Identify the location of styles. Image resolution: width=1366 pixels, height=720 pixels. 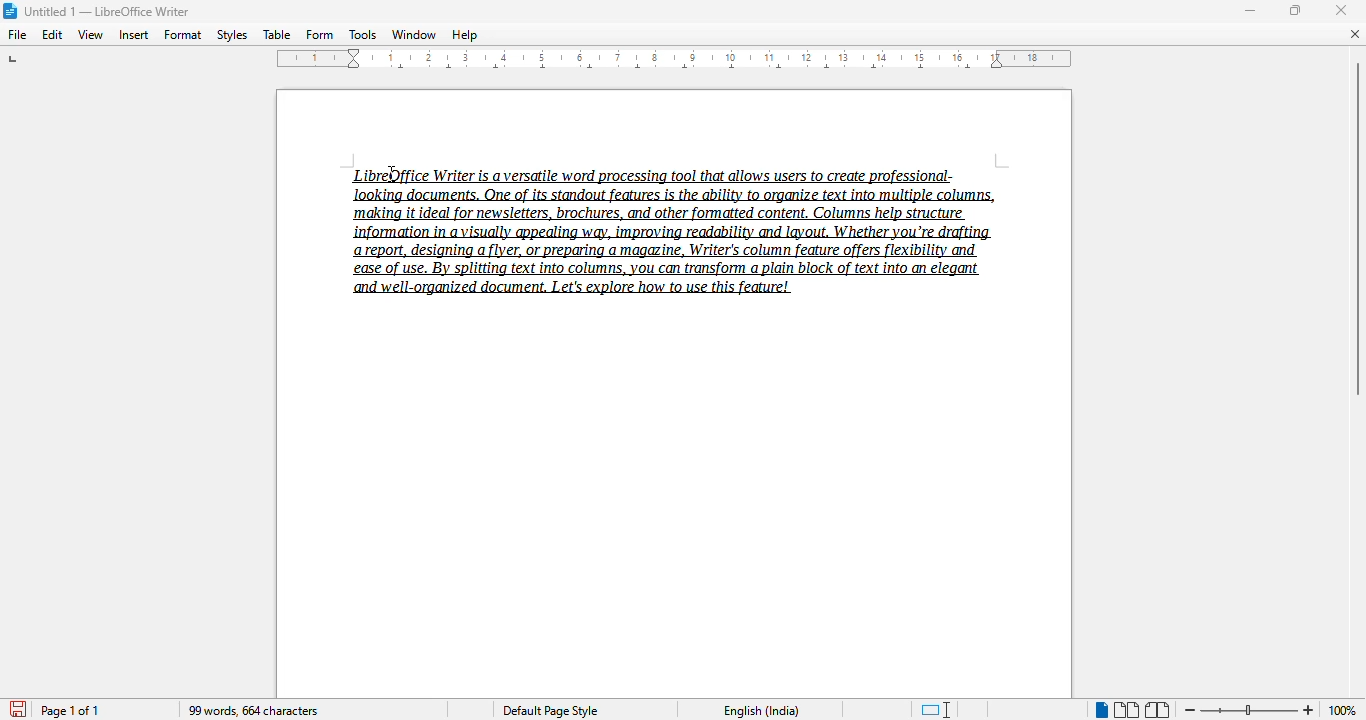
(232, 35).